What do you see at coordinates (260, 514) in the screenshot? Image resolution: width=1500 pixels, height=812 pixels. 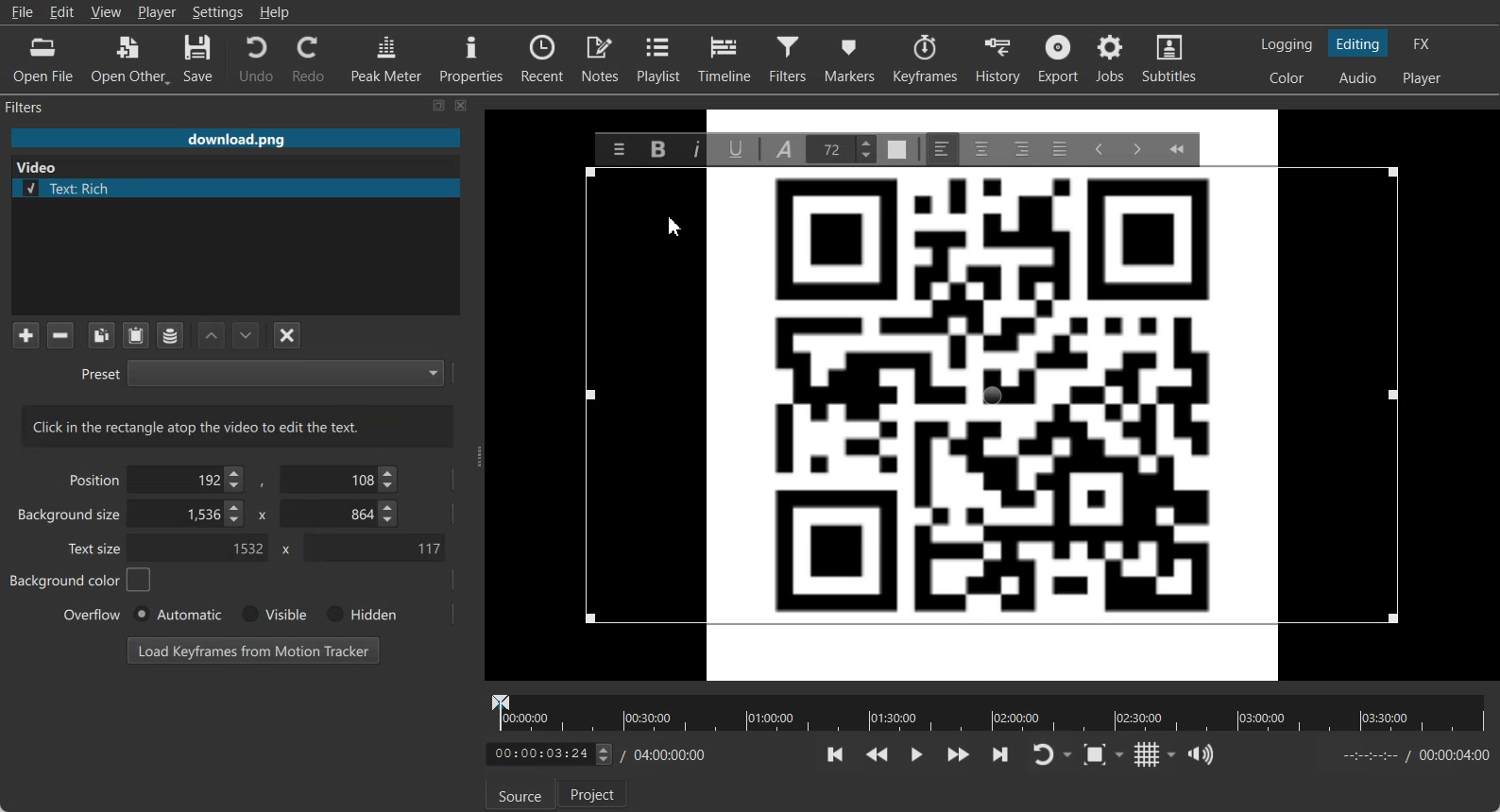 I see `x` at bounding box center [260, 514].